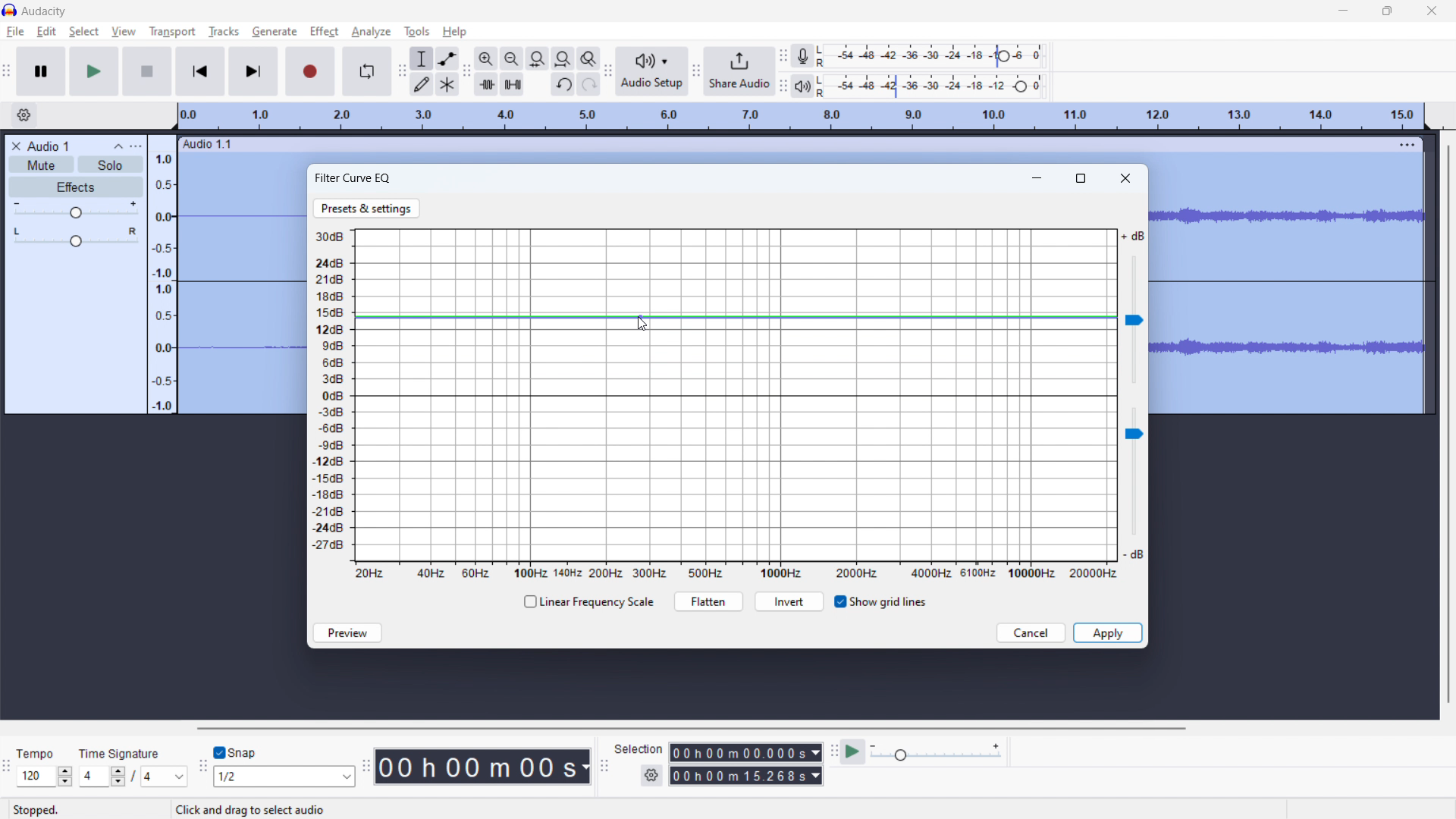 This screenshot has height=819, width=1456. What do you see at coordinates (224, 32) in the screenshot?
I see `tracks` at bounding box center [224, 32].